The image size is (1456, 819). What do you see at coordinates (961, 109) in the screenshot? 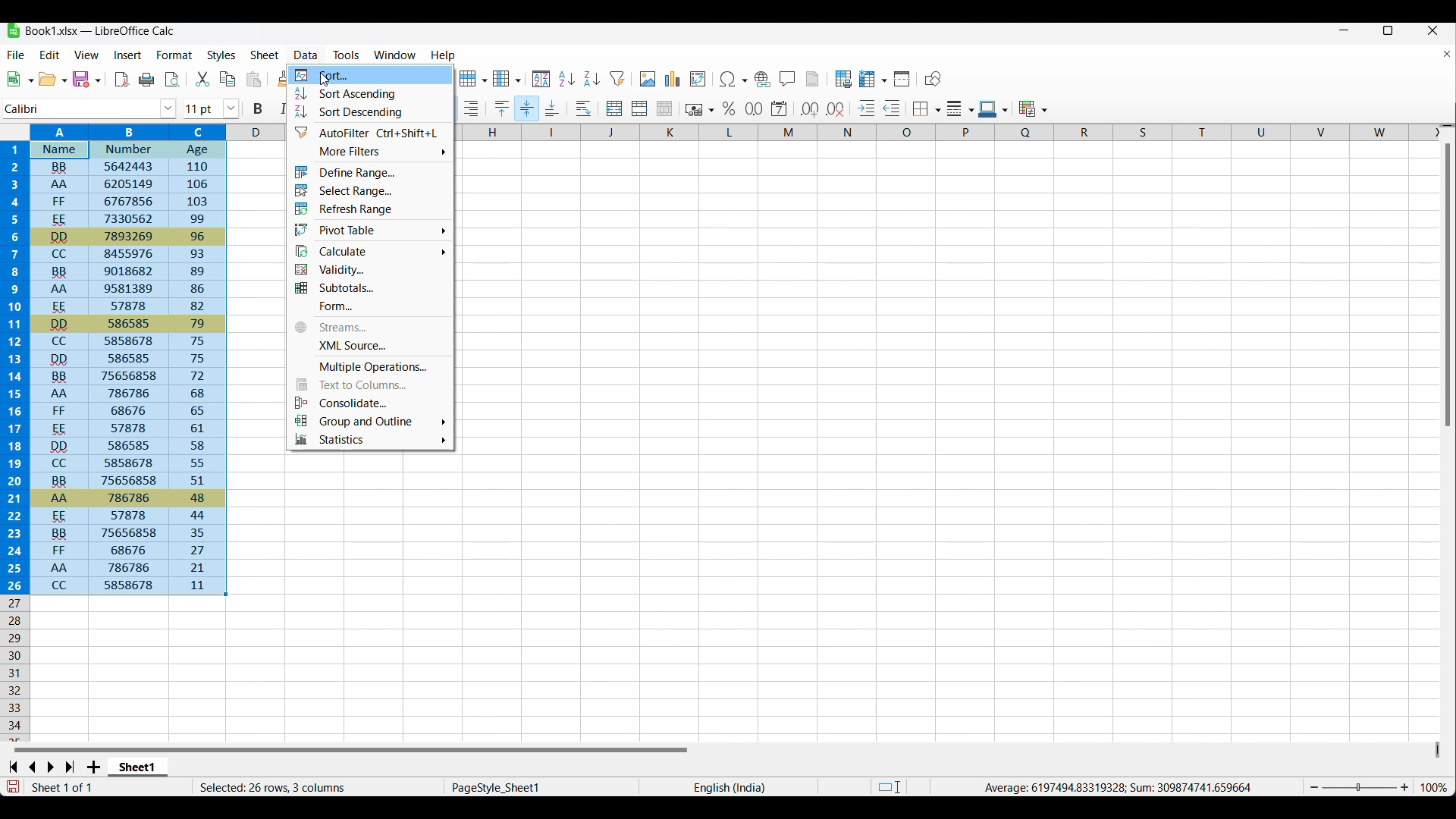
I see `Border style options` at bounding box center [961, 109].